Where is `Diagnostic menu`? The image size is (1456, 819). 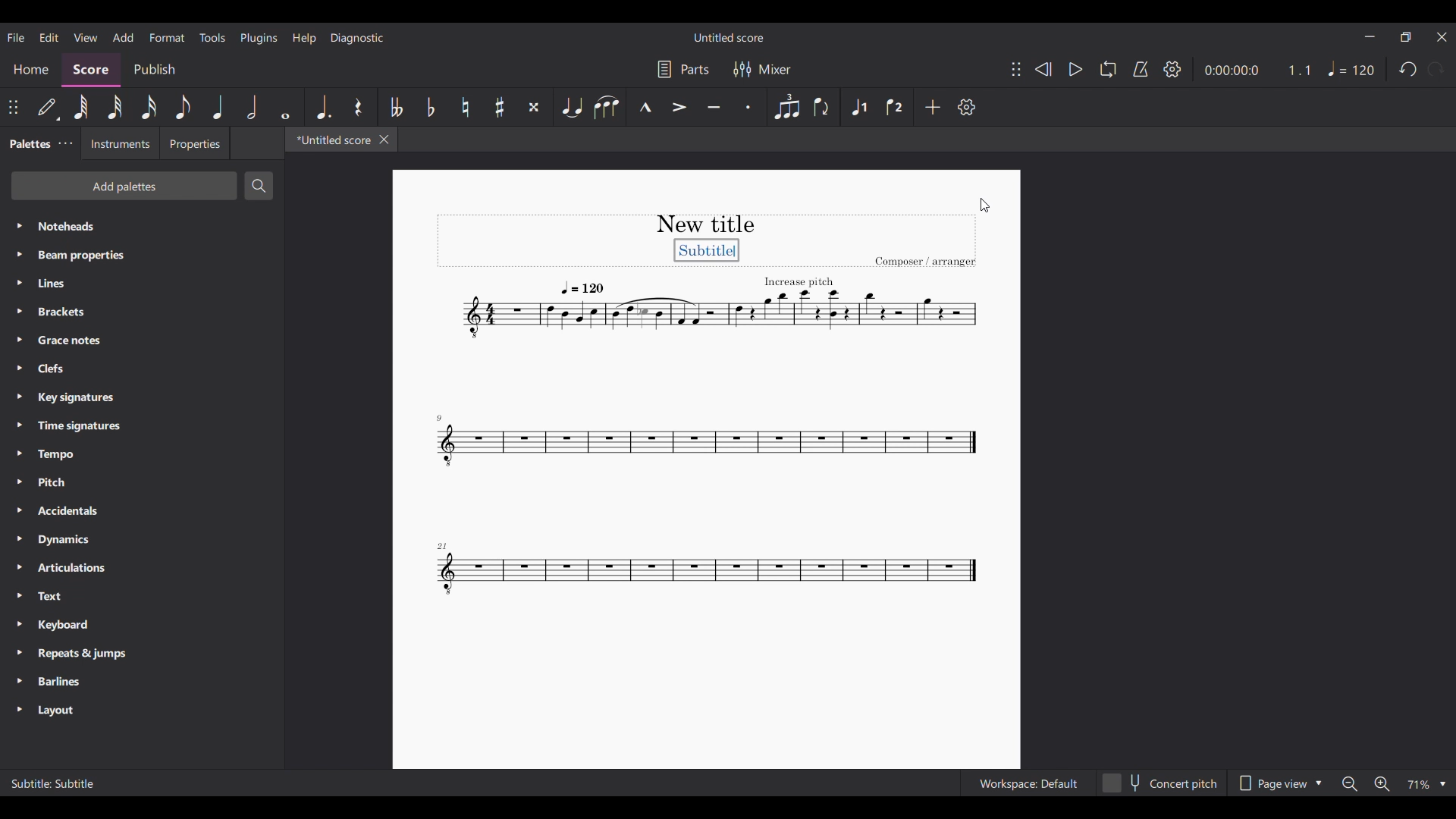 Diagnostic menu is located at coordinates (357, 38).